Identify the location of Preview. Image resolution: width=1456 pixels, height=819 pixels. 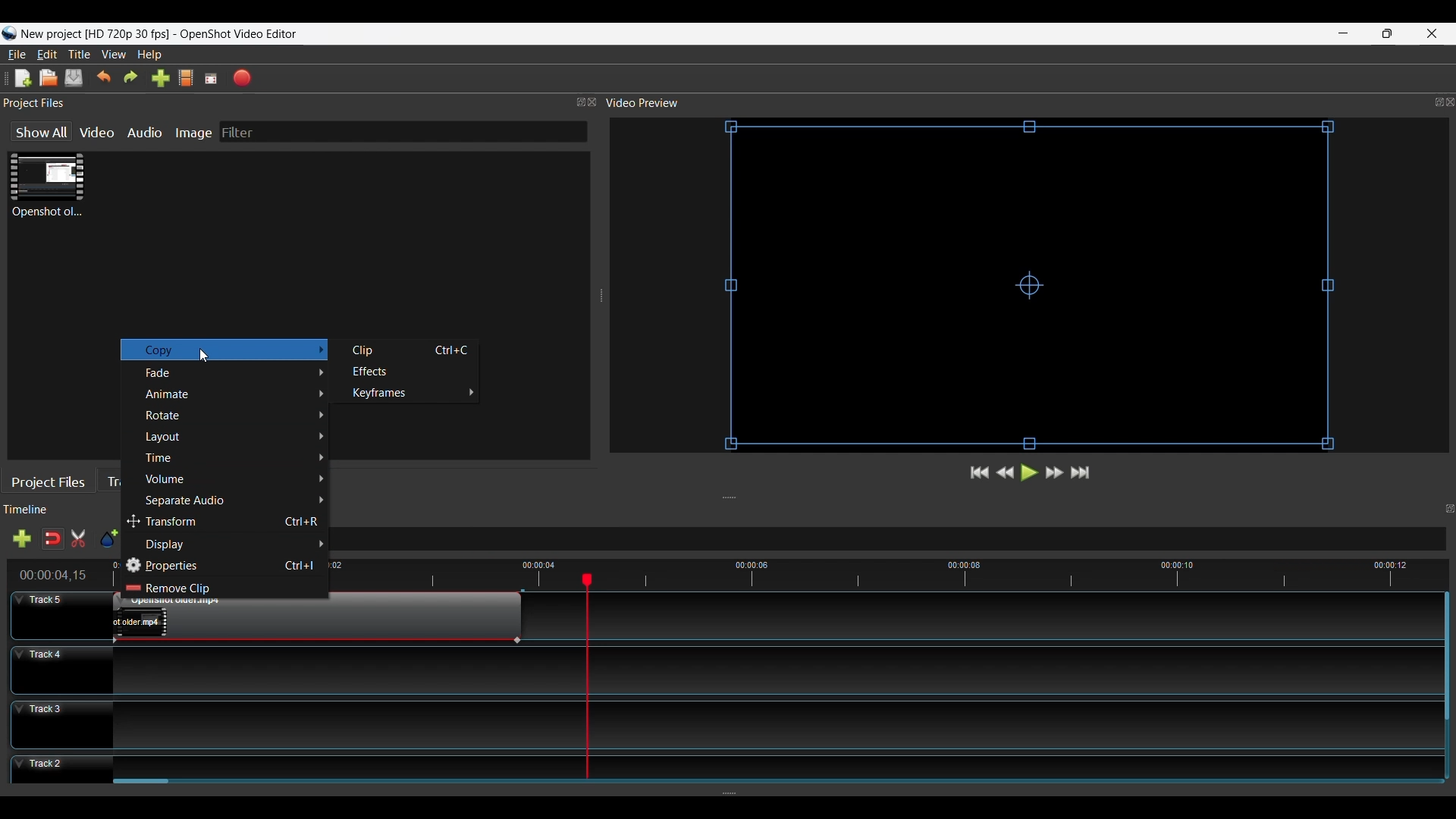
(1006, 474).